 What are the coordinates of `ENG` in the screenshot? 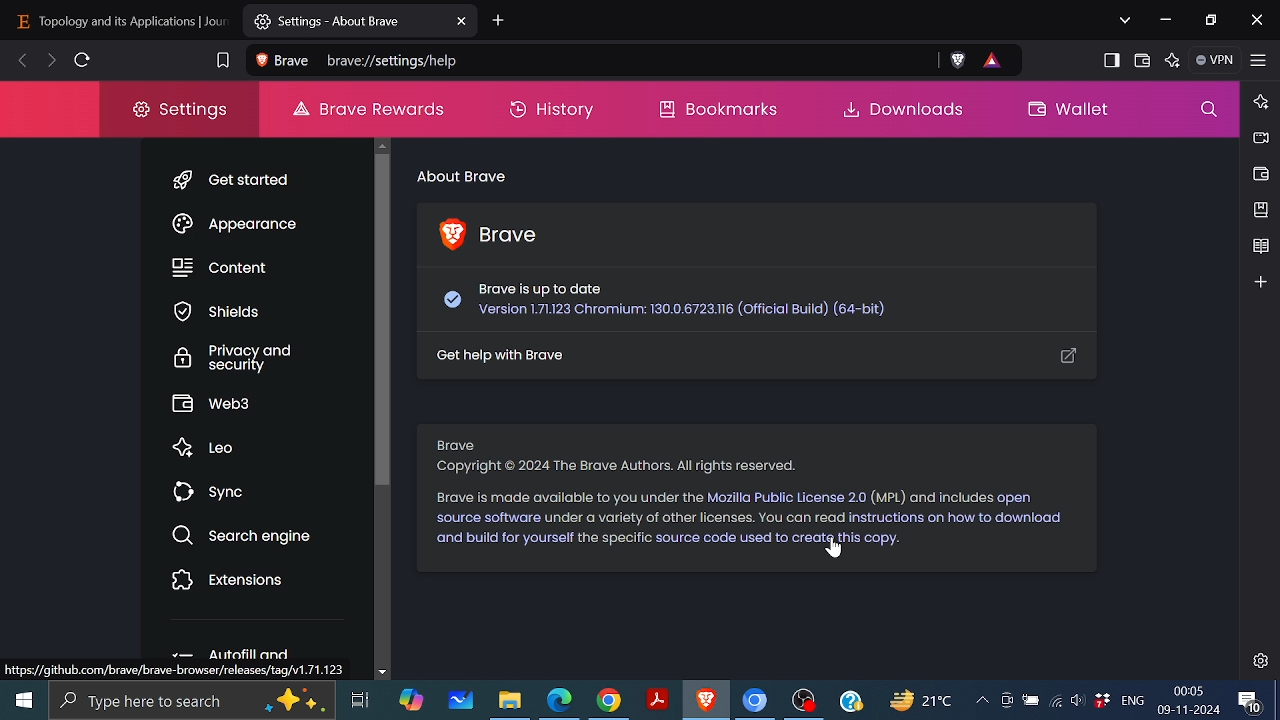 It's located at (1135, 700).